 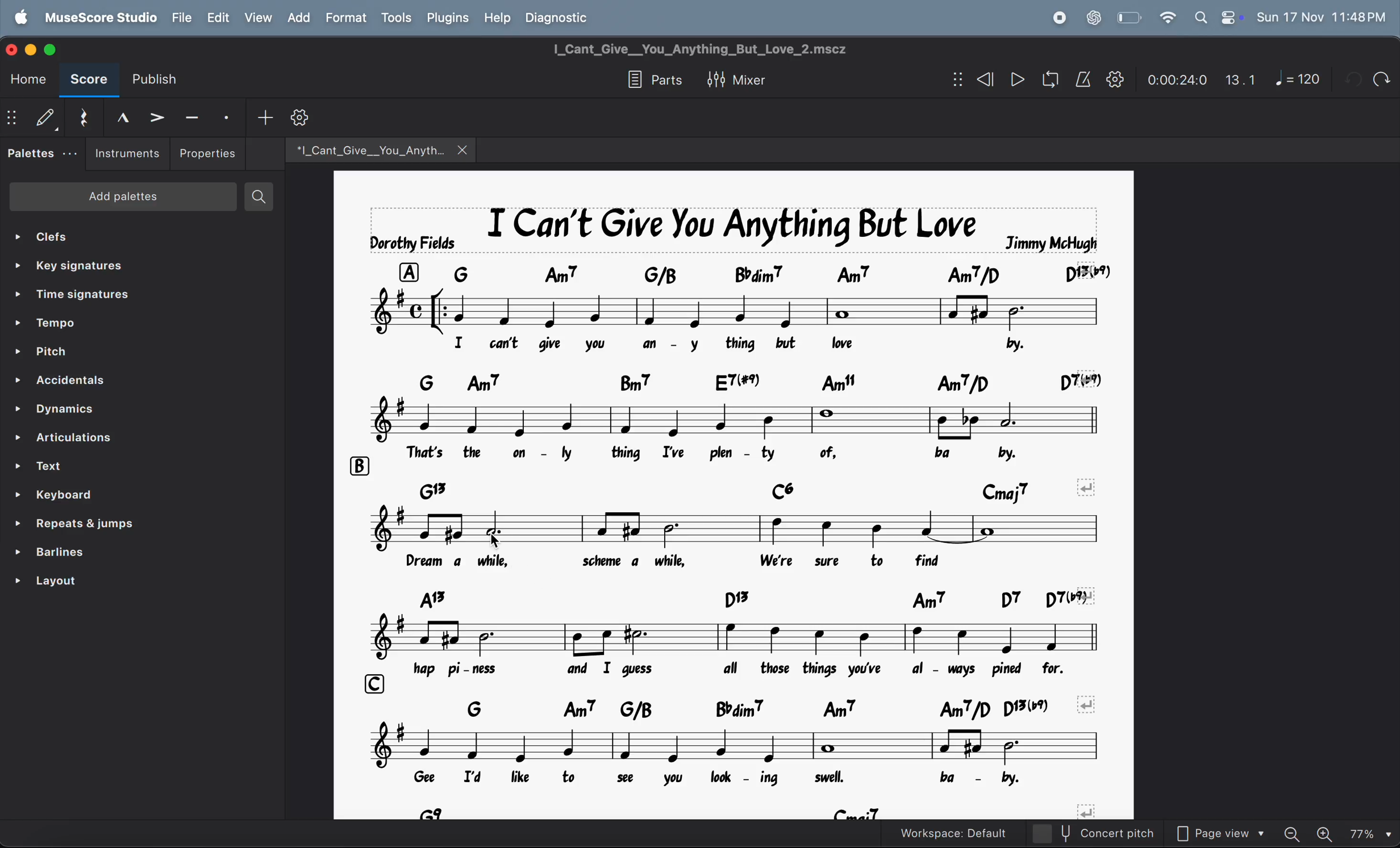 I want to click on staccato, so click(x=230, y=117).